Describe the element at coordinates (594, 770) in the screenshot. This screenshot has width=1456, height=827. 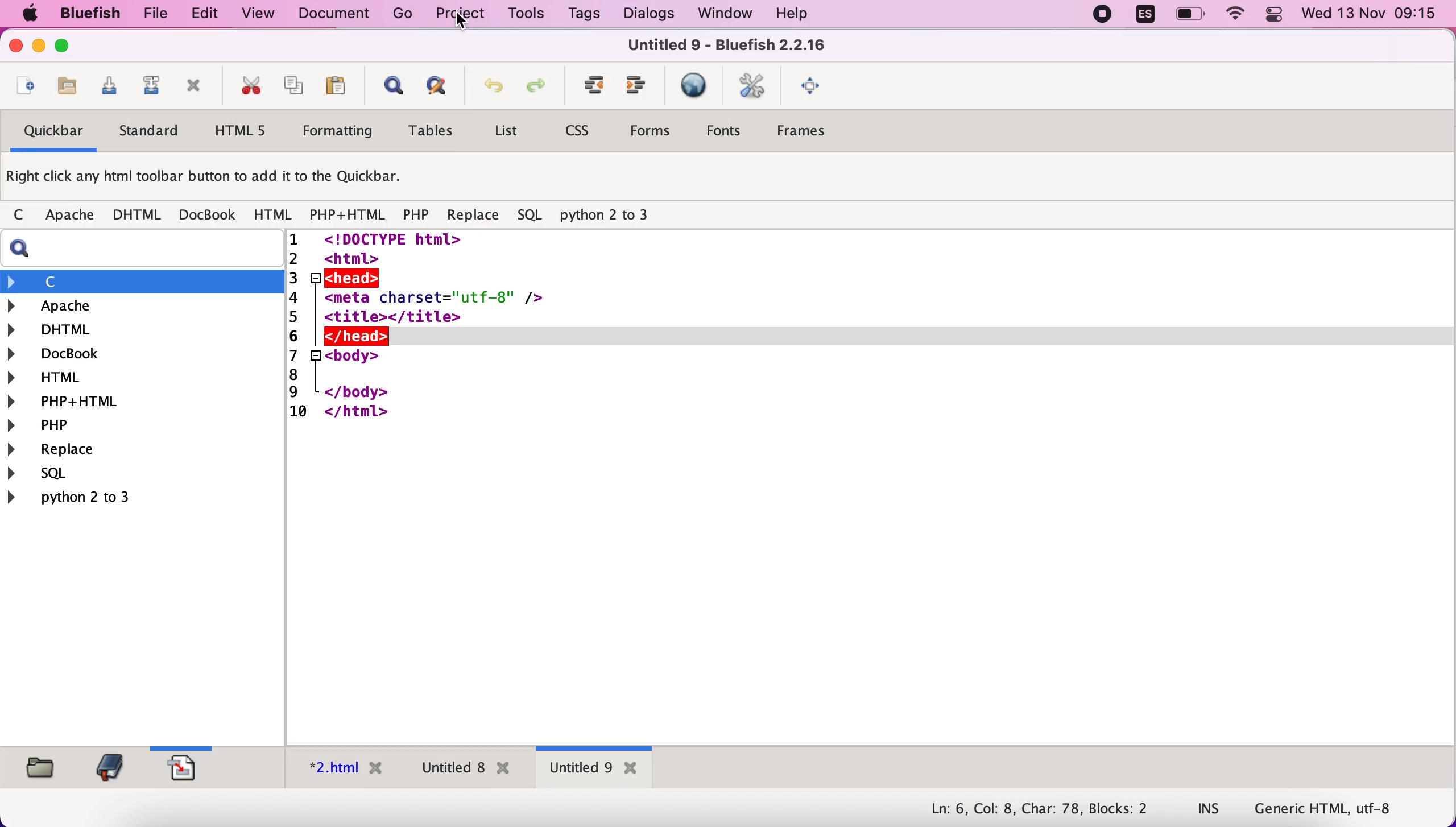
I see `tab` at that location.